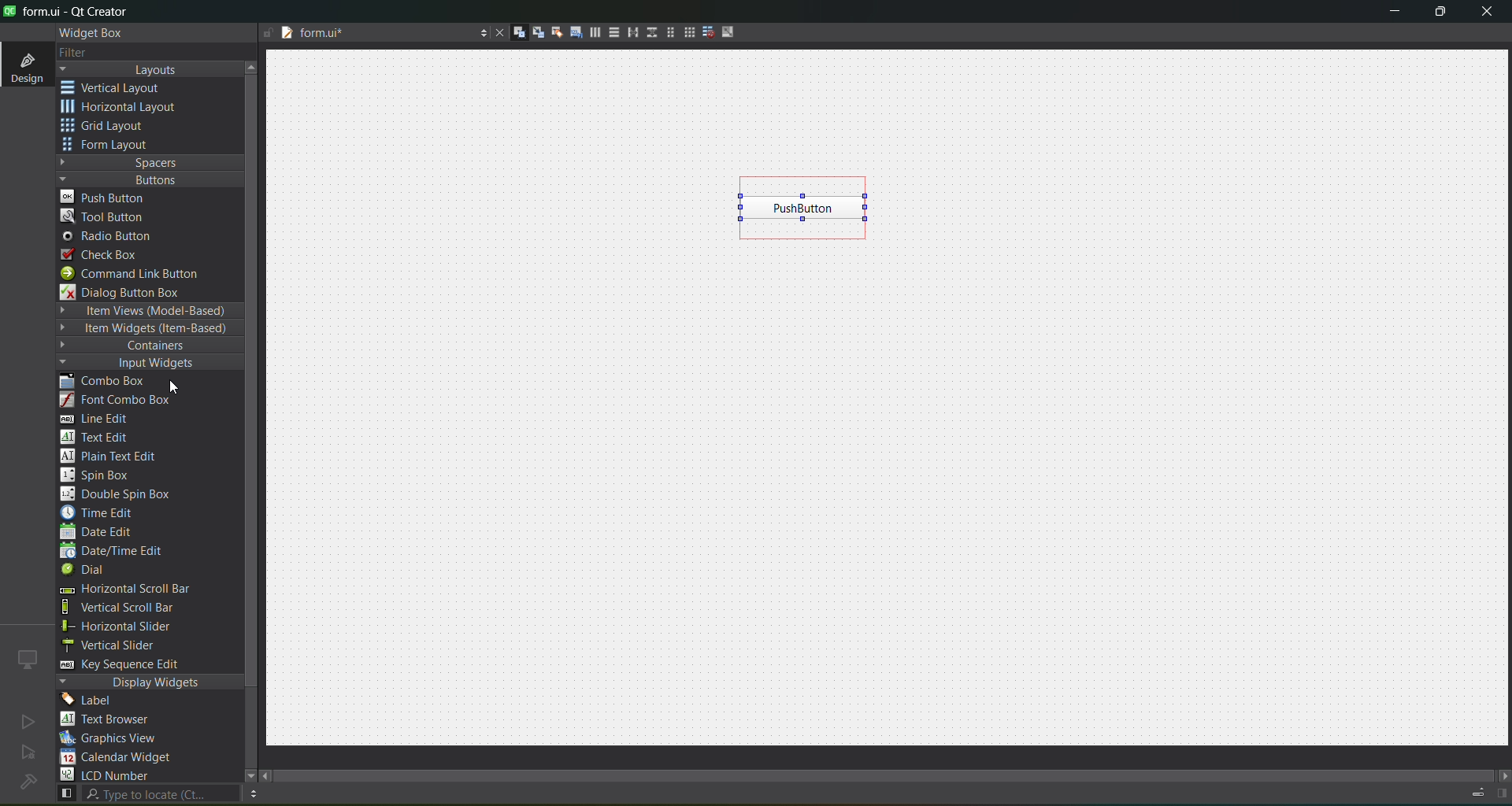 The width and height of the screenshot is (1512, 806). I want to click on plain text edit, so click(115, 457).